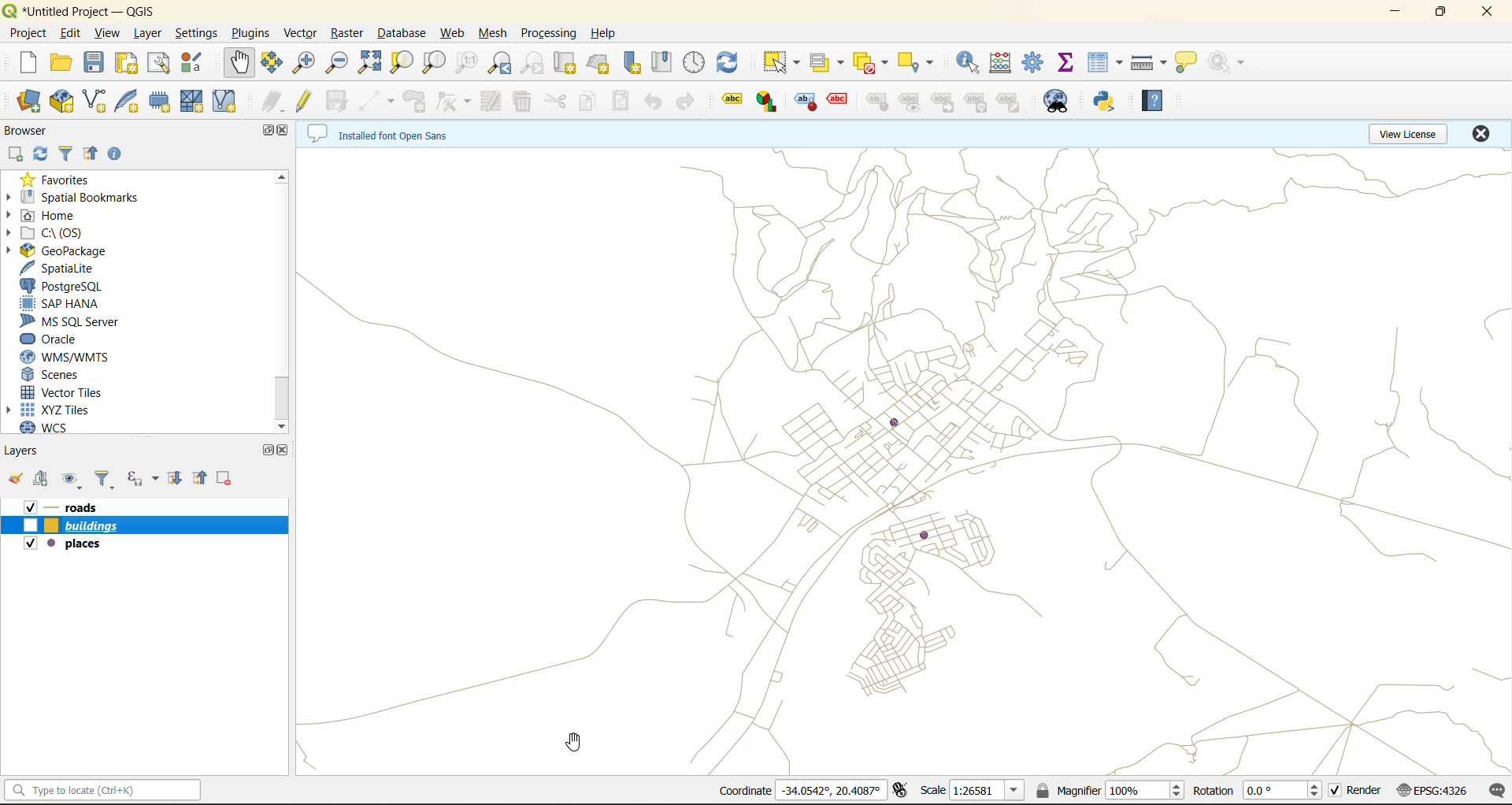 Image resolution: width=1512 pixels, height=805 pixels. What do you see at coordinates (388, 138) in the screenshot?
I see `metadata` at bounding box center [388, 138].